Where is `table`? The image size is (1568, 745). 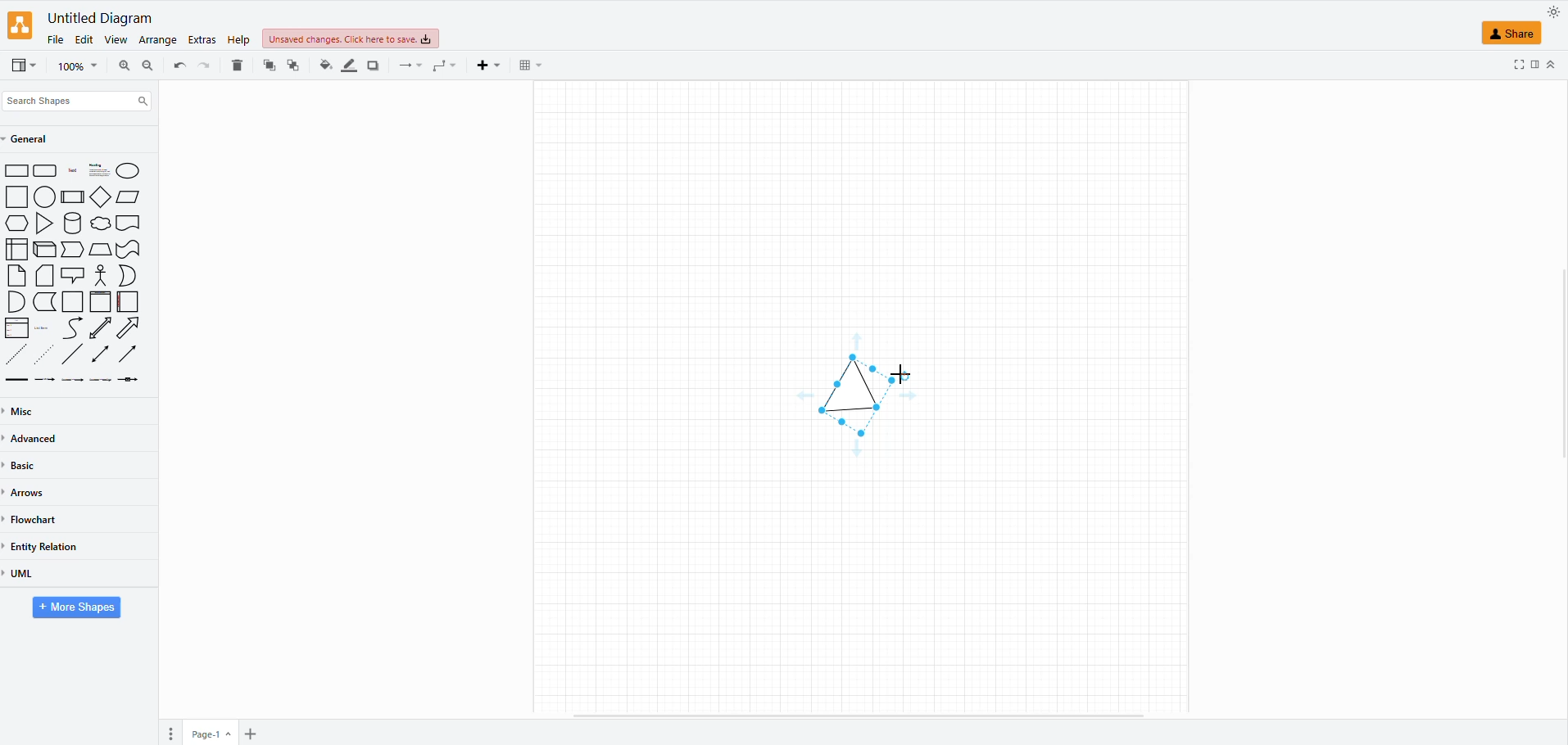 table is located at coordinates (528, 65).